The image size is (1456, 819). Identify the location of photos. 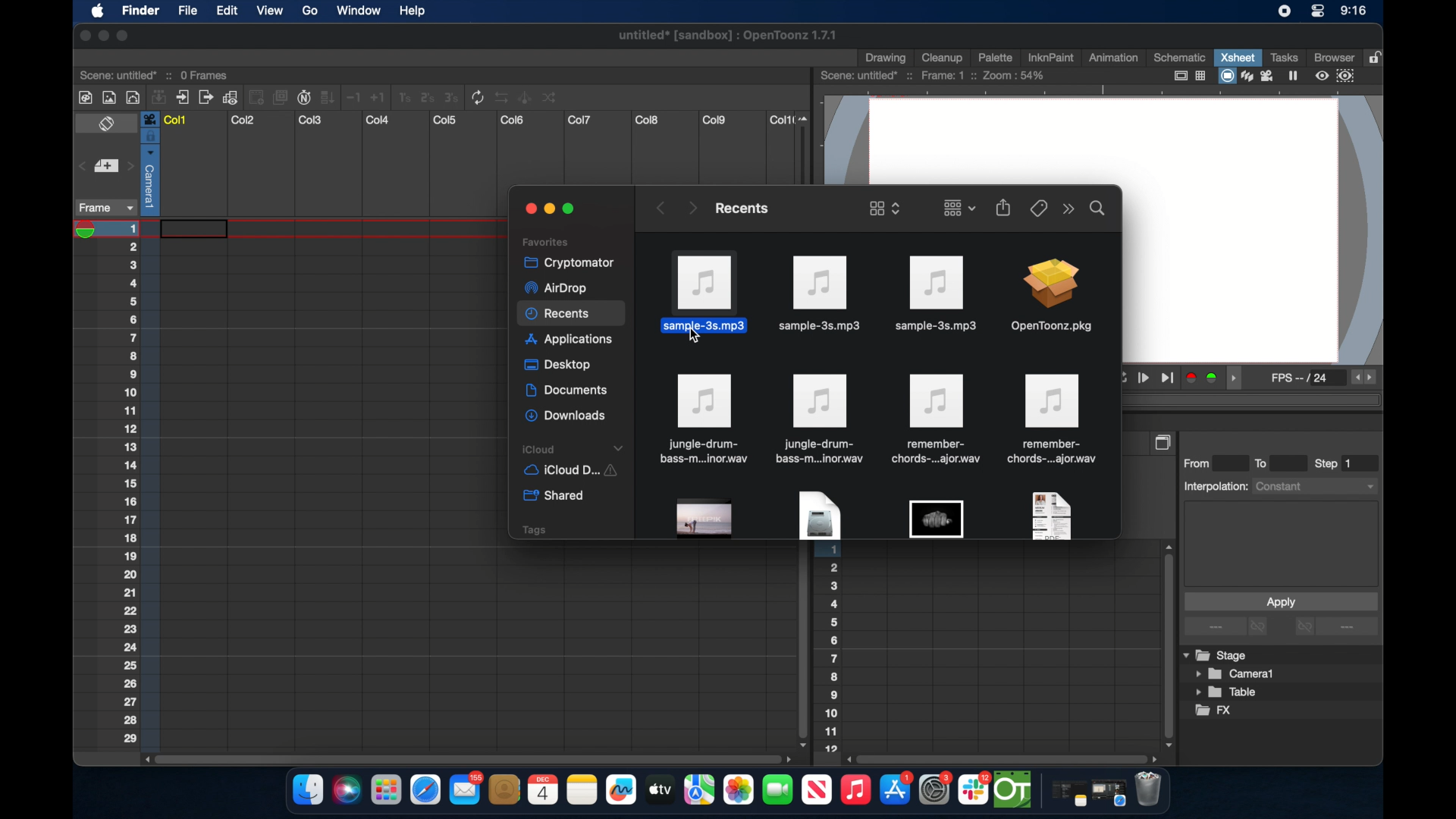
(738, 790).